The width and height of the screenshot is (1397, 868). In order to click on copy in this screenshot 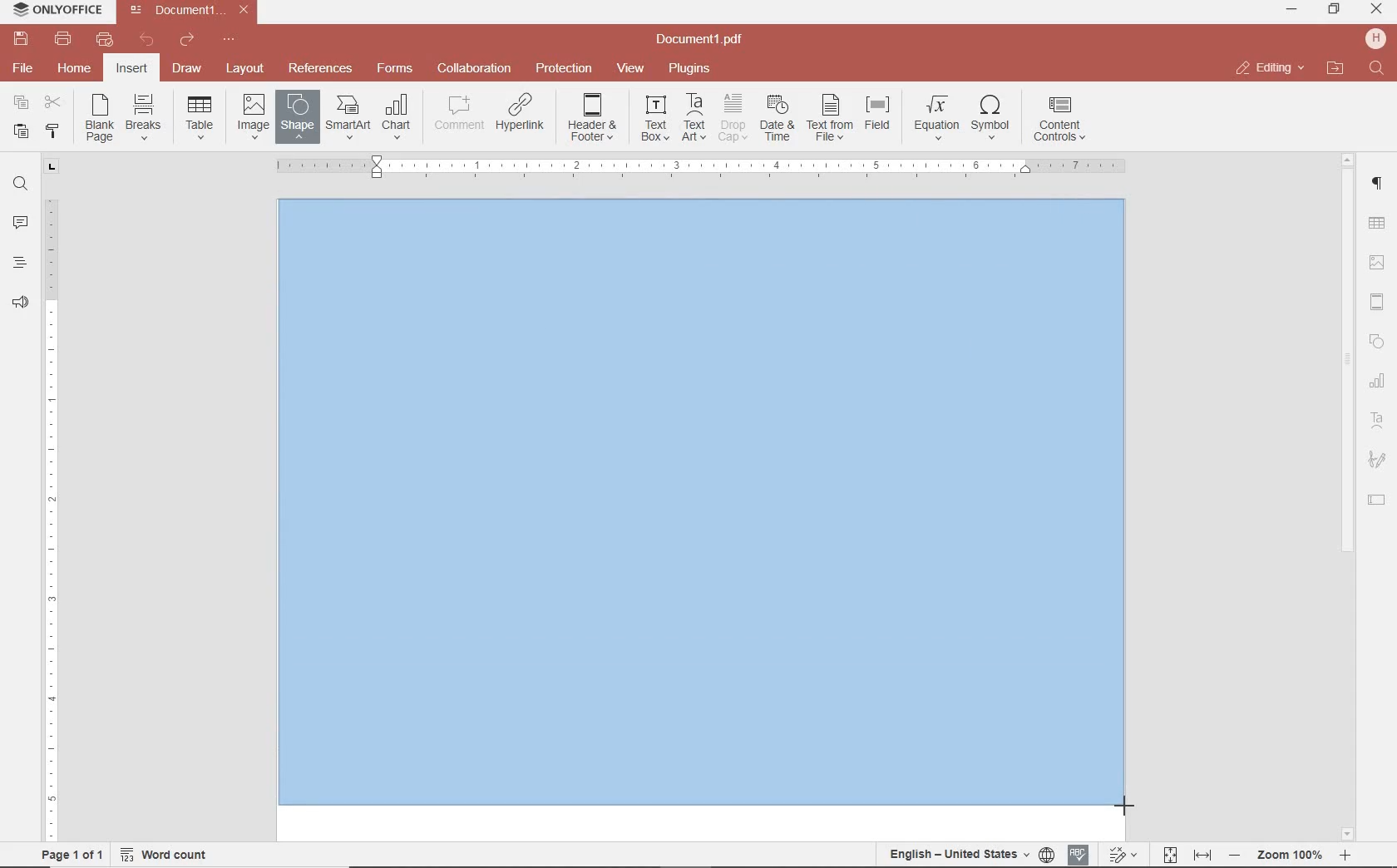, I will do `click(21, 104)`.